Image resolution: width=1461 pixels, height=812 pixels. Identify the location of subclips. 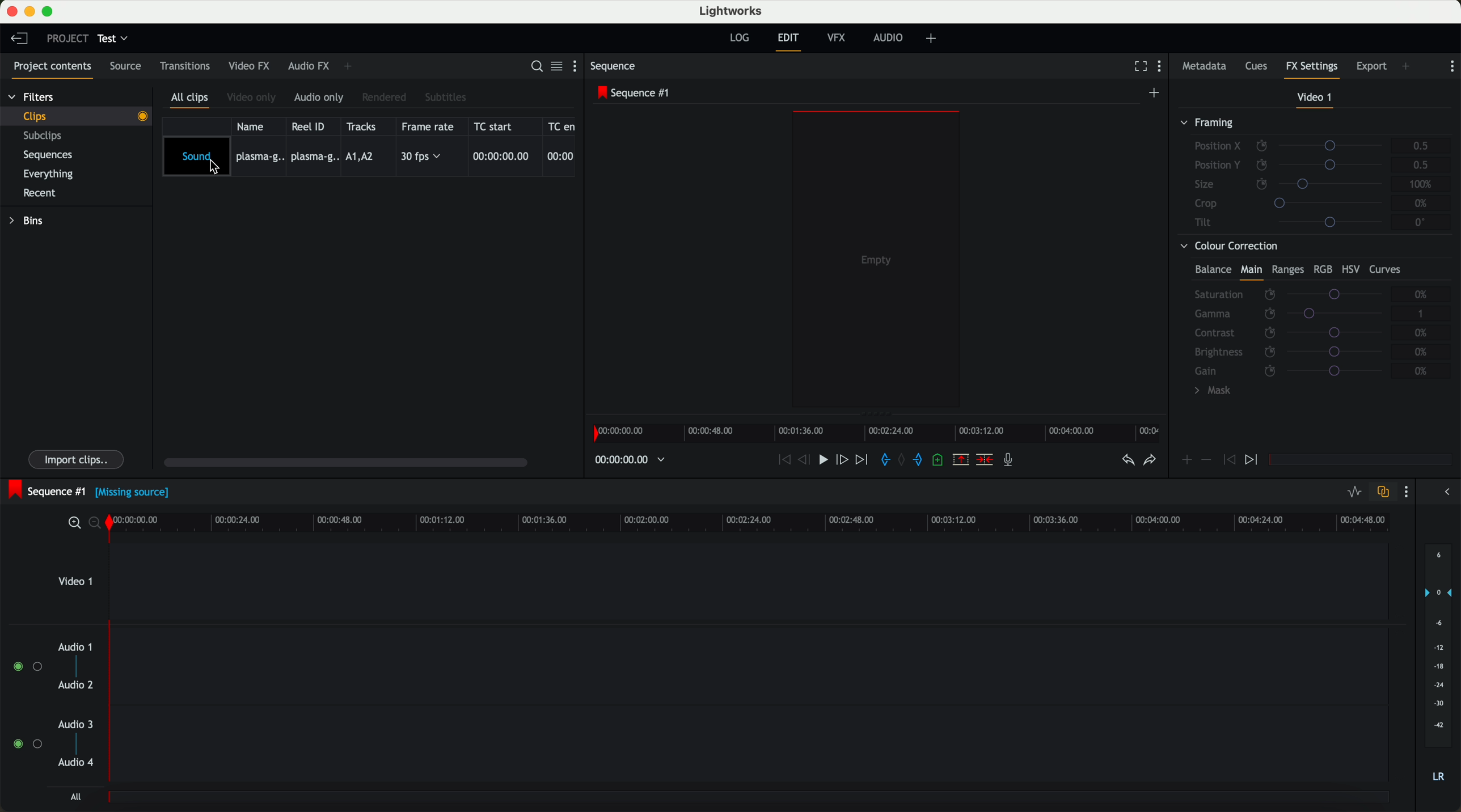
(45, 137).